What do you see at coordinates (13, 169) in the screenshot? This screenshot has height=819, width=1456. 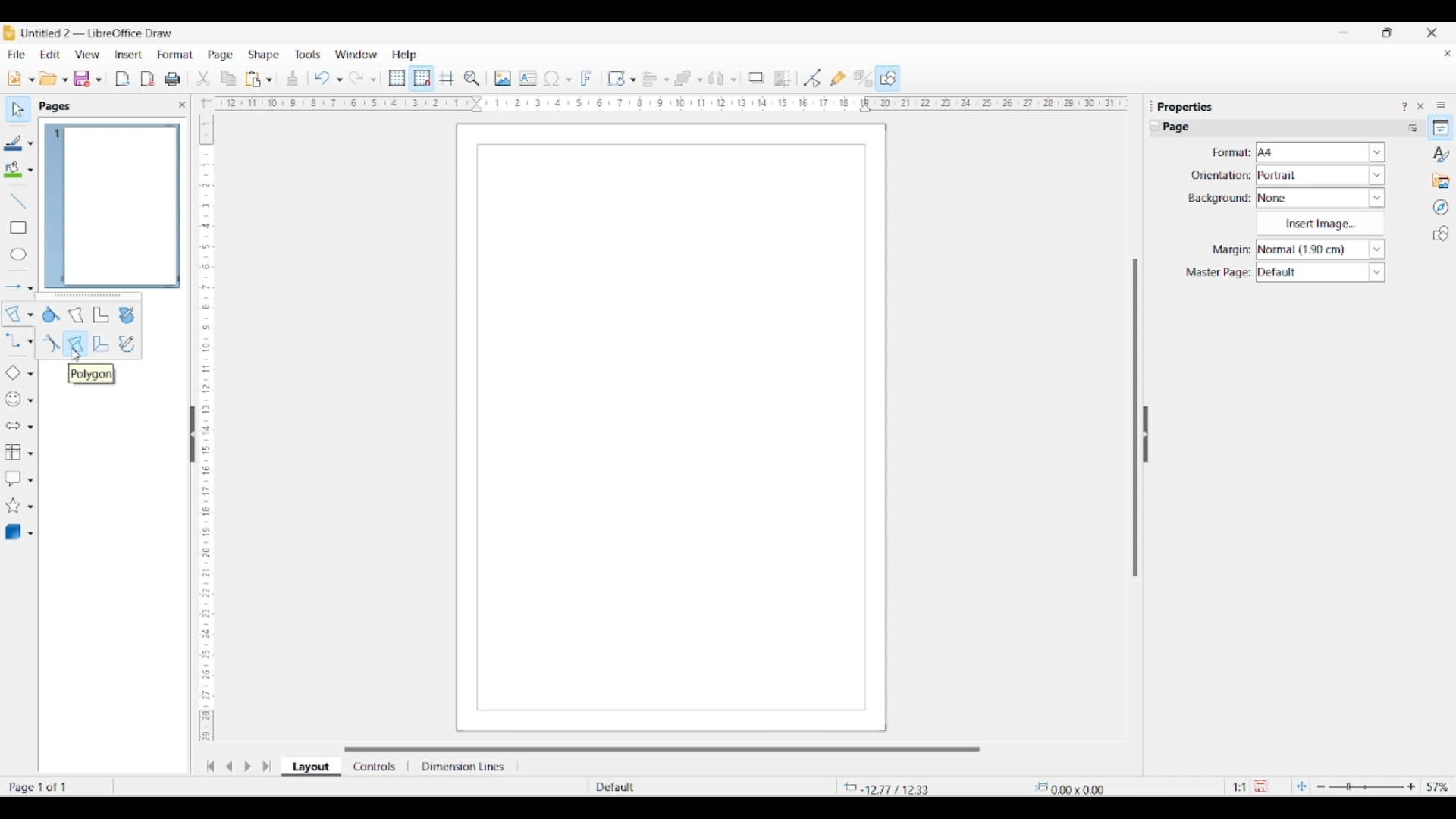 I see `Selected fill color` at bounding box center [13, 169].